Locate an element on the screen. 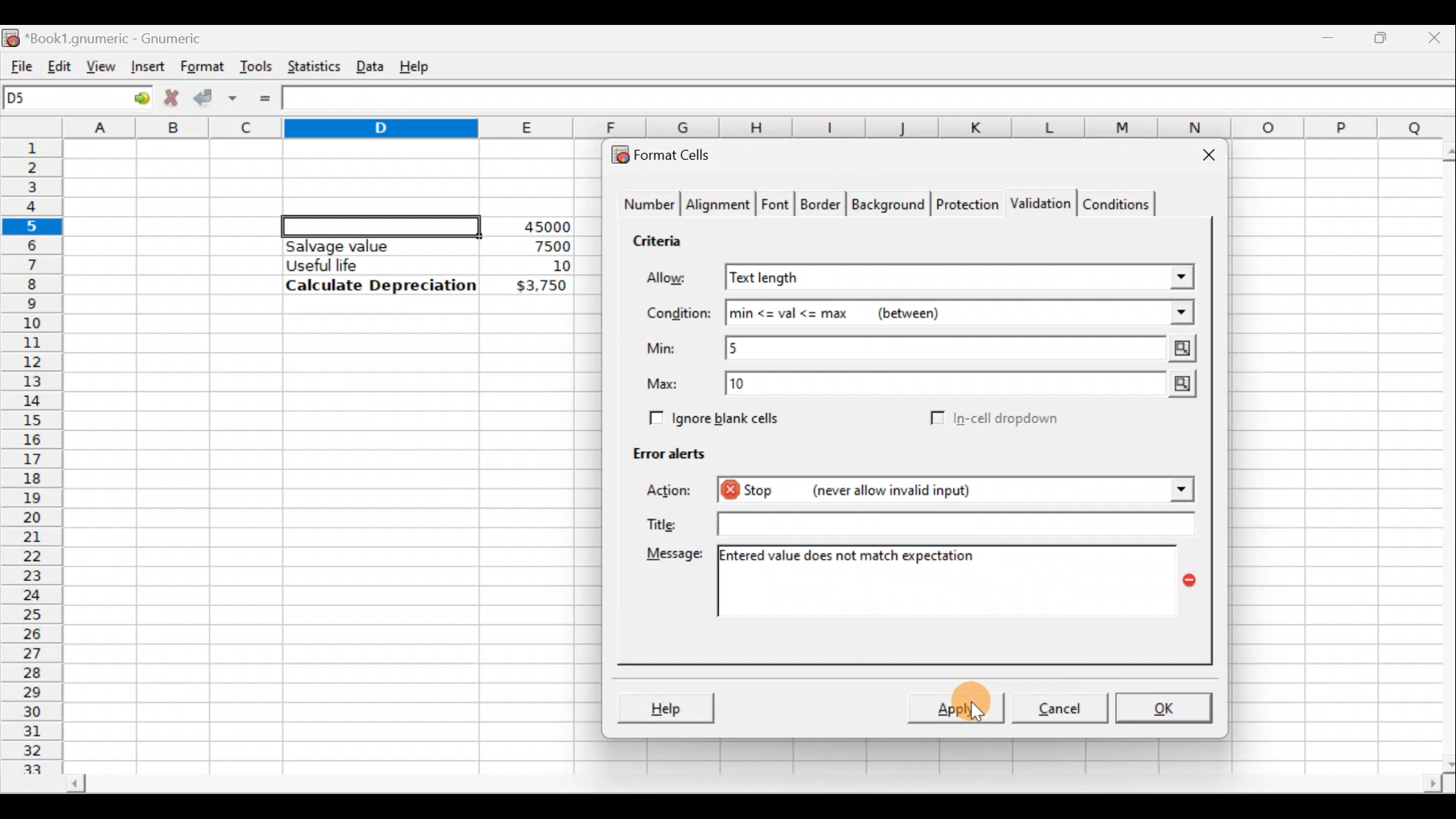 This screenshot has height=819, width=1456. View is located at coordinates (102, 65).